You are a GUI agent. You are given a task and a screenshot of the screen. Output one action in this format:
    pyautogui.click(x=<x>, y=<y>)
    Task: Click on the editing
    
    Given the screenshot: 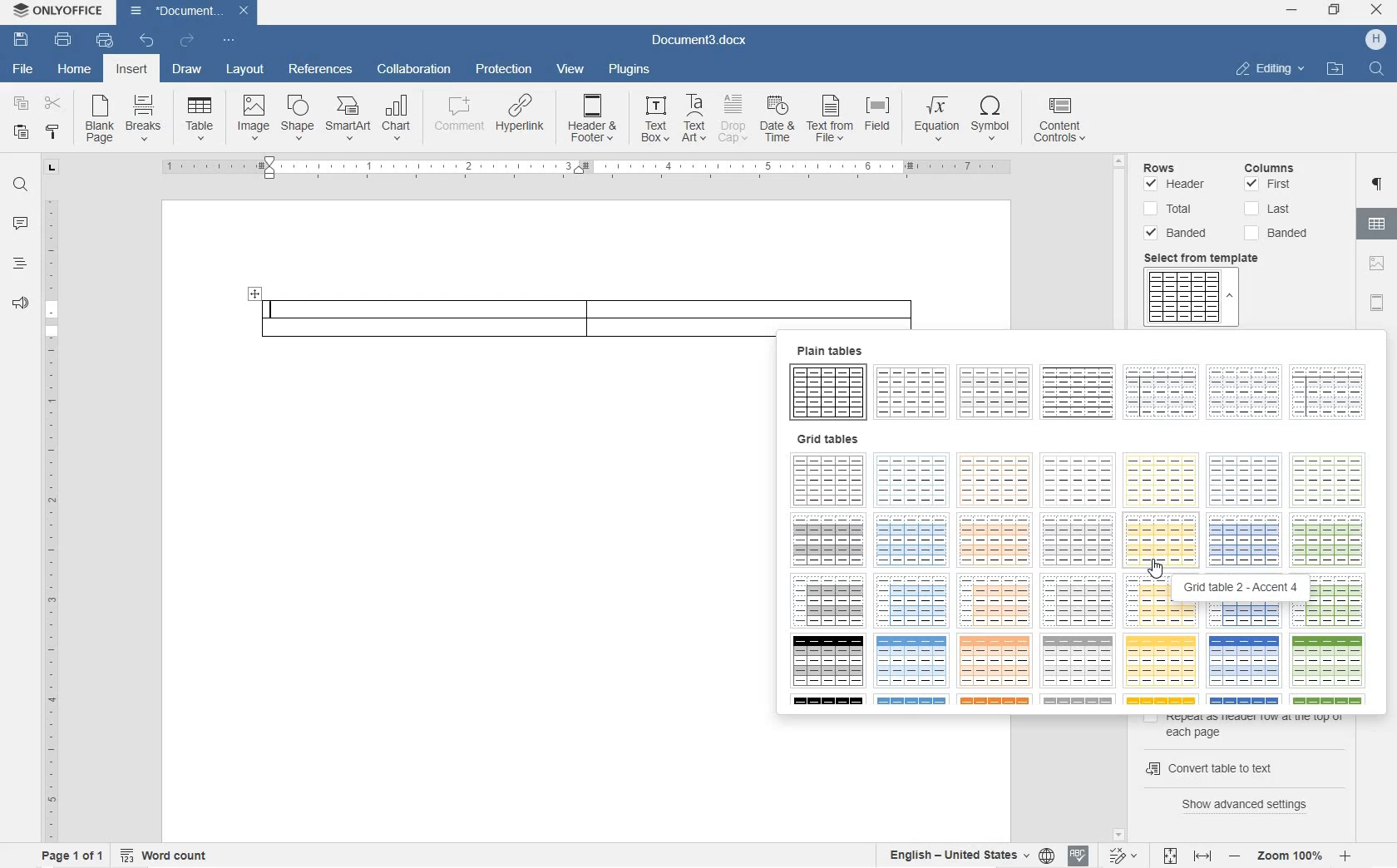 What is the action you would take?
    pyautogui.click(x=1271, y=68)
    